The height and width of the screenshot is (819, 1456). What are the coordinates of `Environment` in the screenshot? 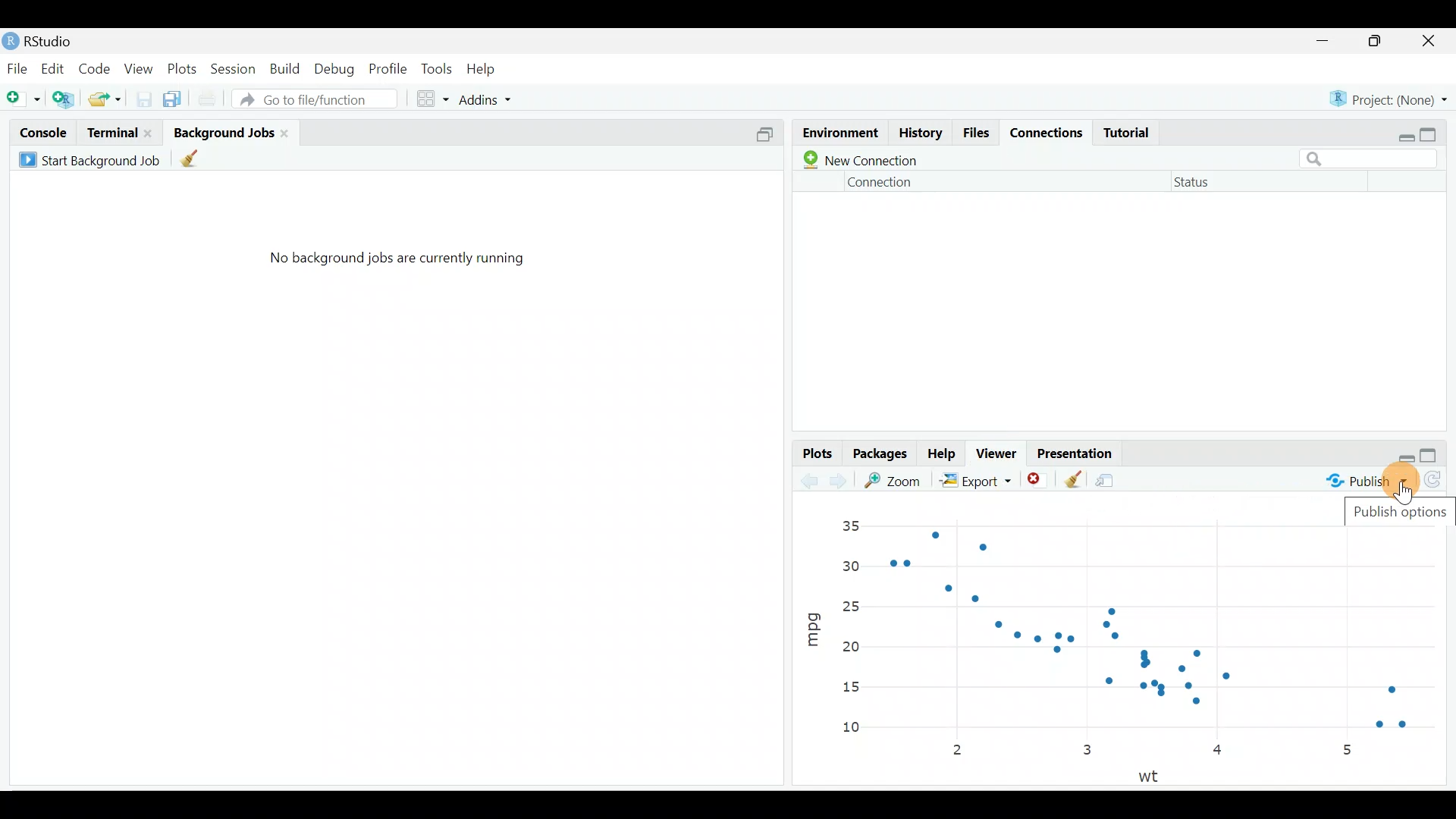 It's located at (839, 129).